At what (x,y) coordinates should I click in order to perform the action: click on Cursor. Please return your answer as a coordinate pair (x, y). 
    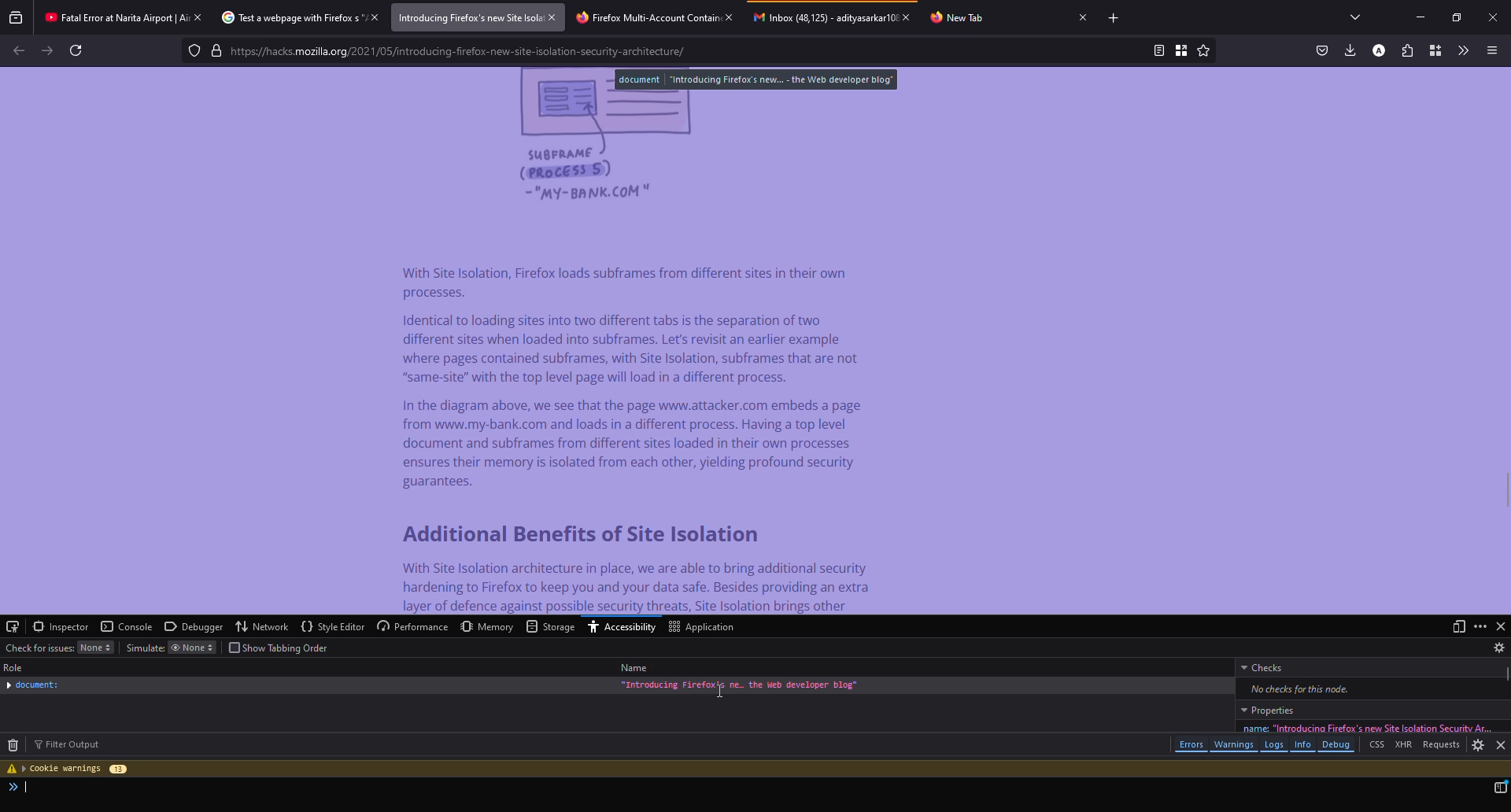
    Looking at the image, I should click on (719, 691).